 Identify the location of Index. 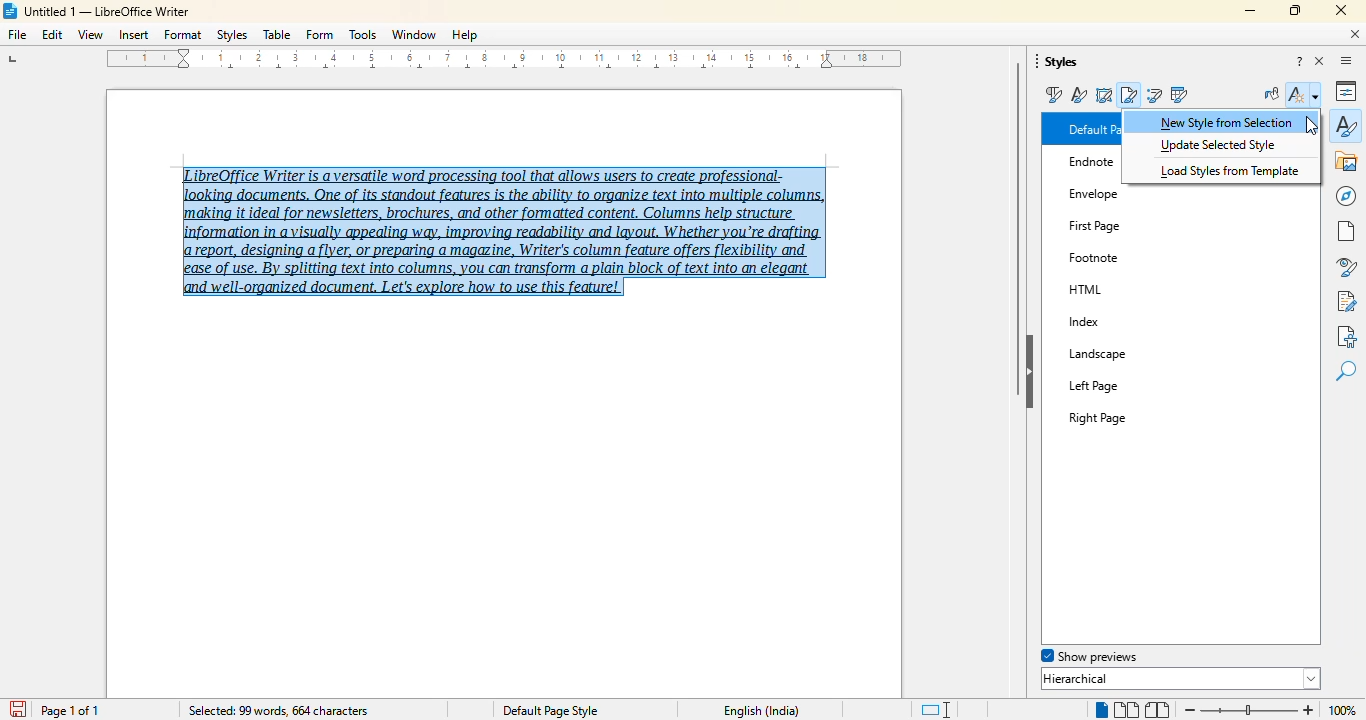
(1135, 322).